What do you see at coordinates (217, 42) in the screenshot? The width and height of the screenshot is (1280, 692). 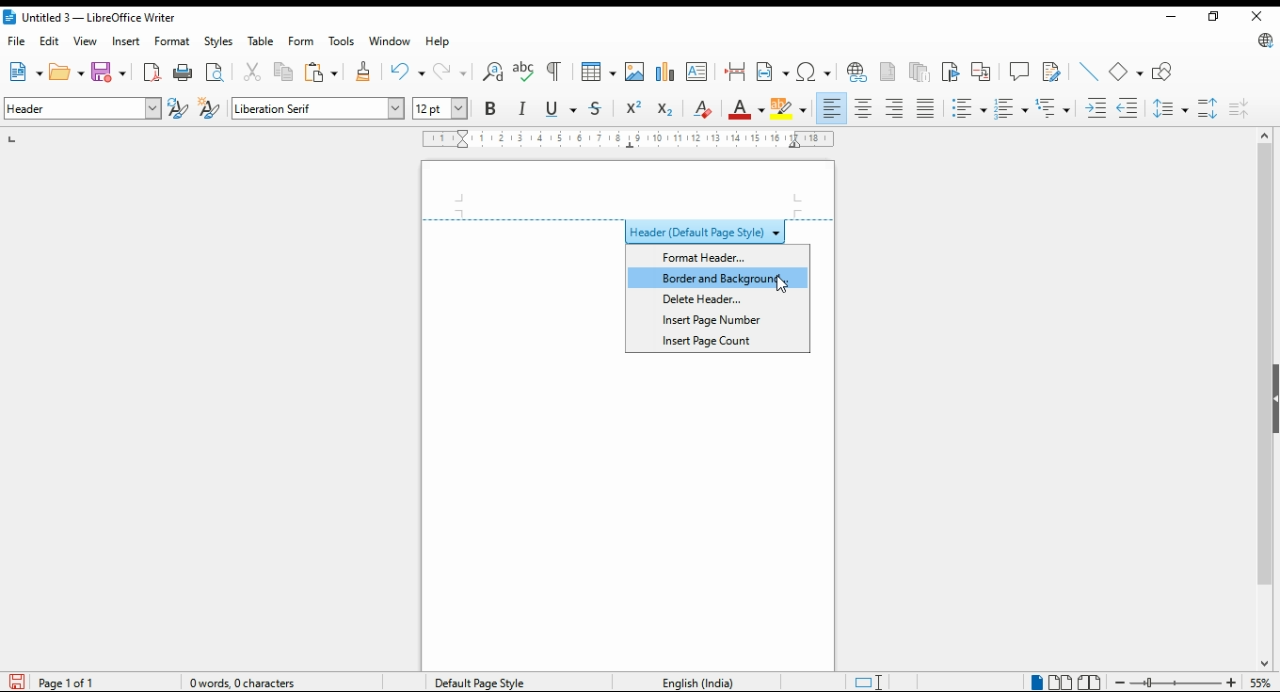 I see `styles` at bounding box center [217, 42].